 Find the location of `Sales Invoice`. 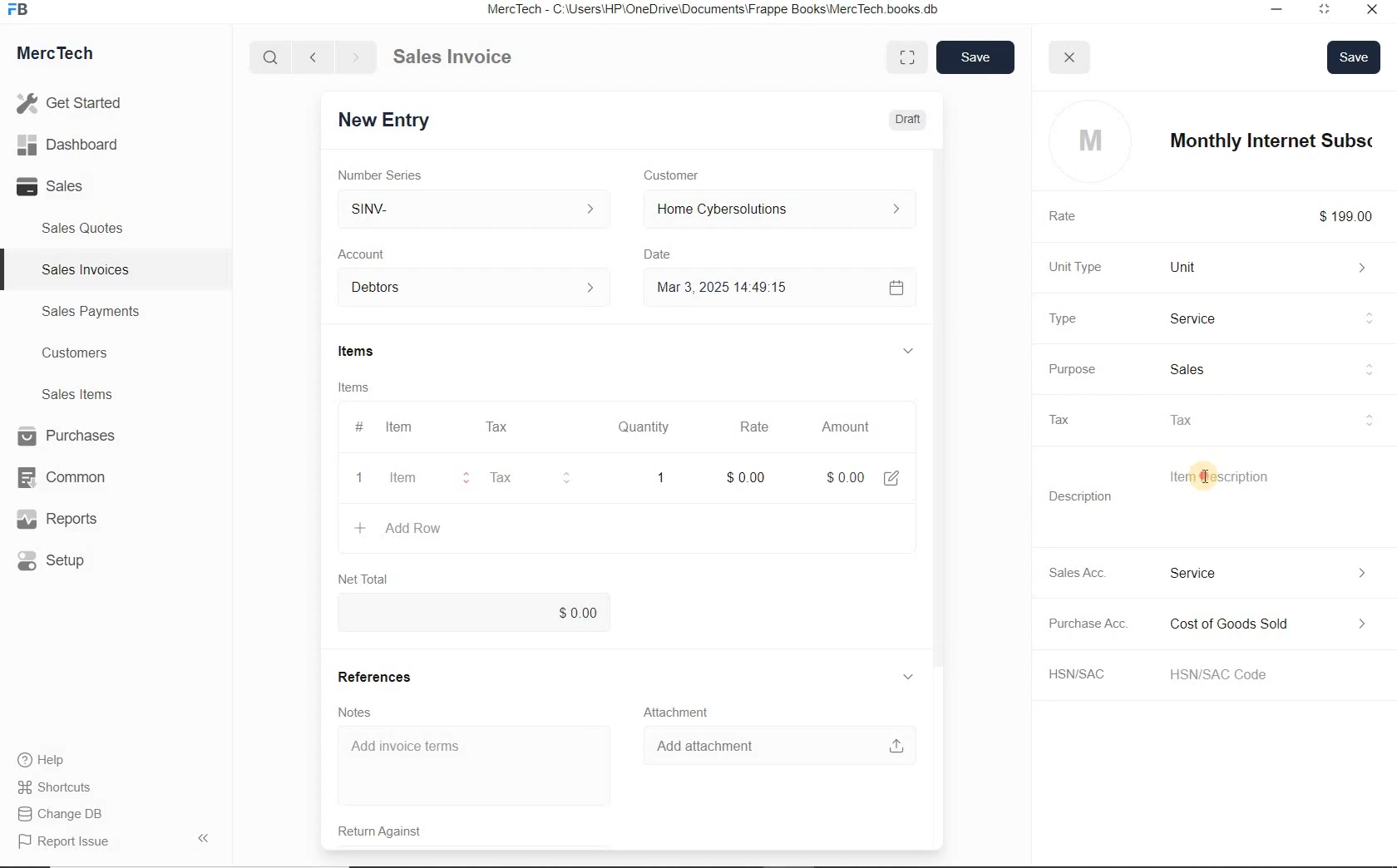

Sales Invoice is located at coordinates (454, 58).